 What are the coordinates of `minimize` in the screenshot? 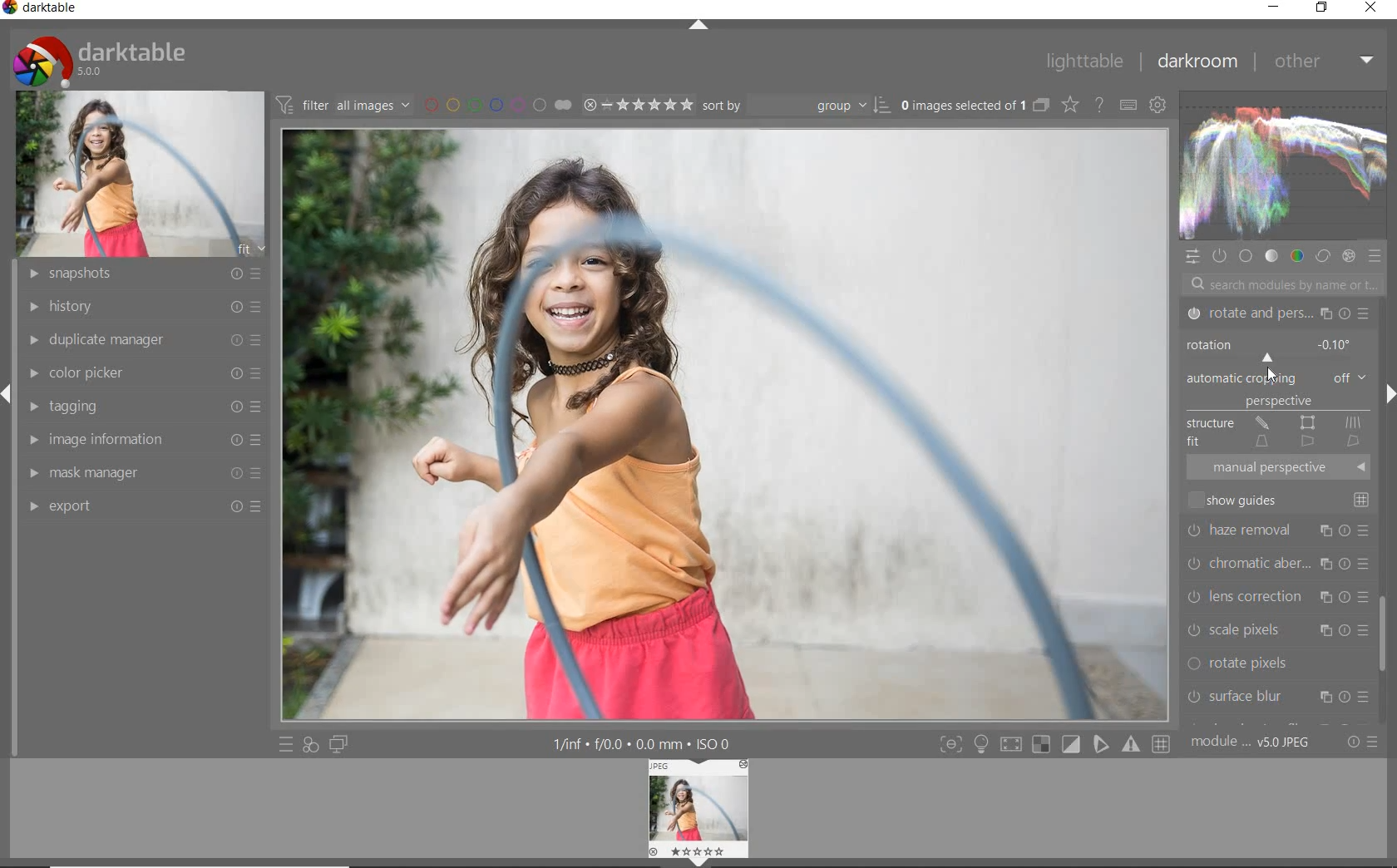 It's located at (1272, 7).